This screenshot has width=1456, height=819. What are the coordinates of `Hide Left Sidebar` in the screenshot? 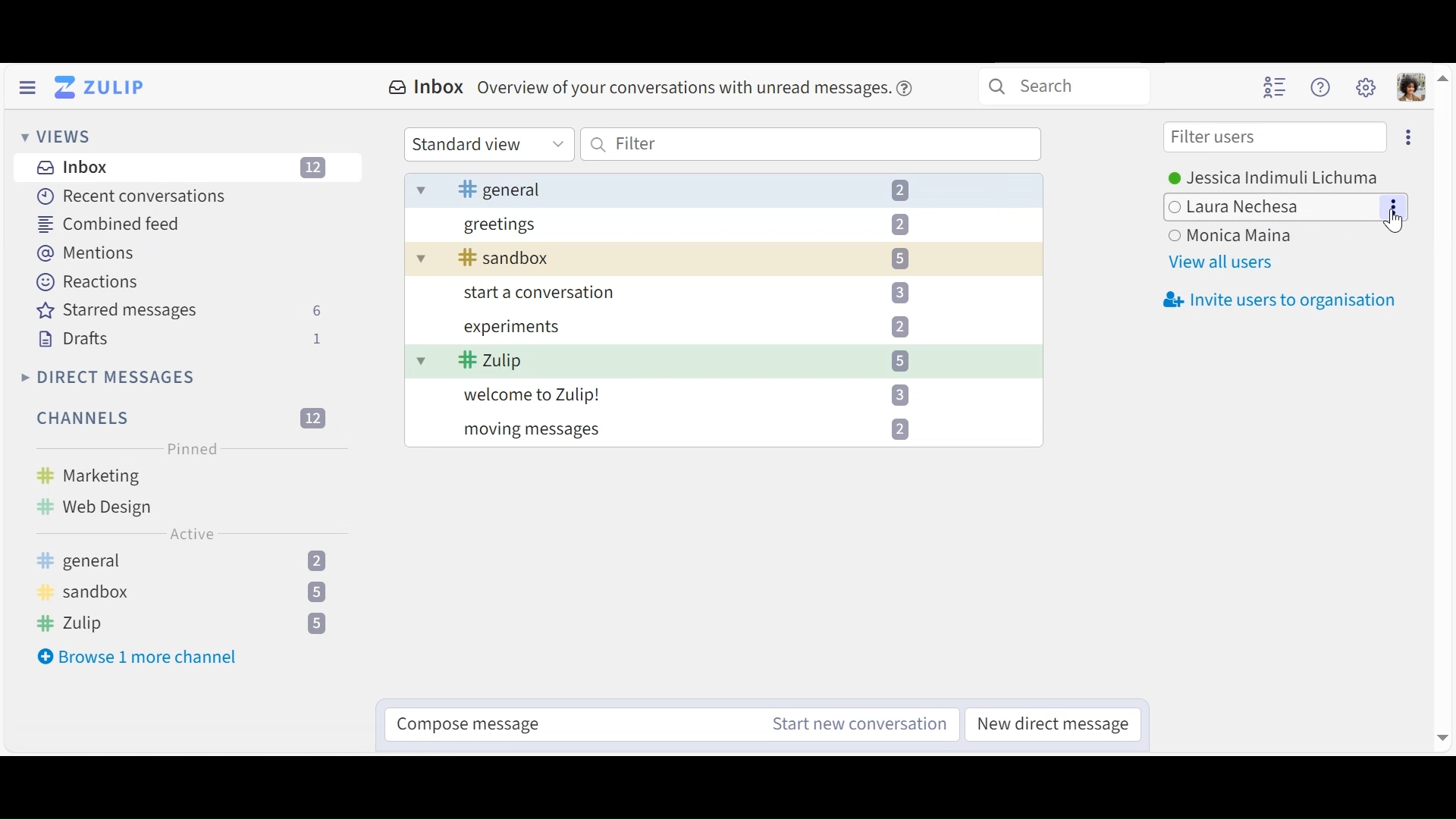 It's located at (25, 86).